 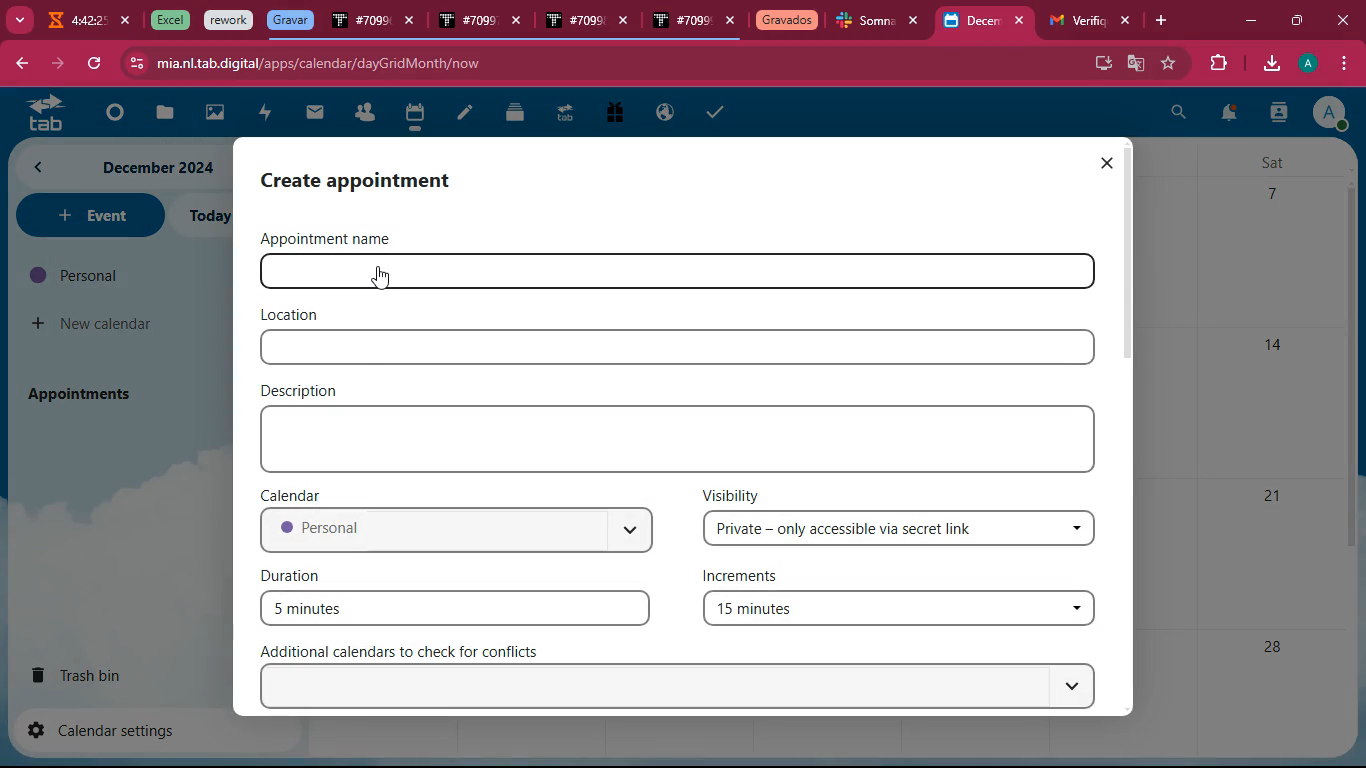 I want to click on gift, so click(x=613, y=114).